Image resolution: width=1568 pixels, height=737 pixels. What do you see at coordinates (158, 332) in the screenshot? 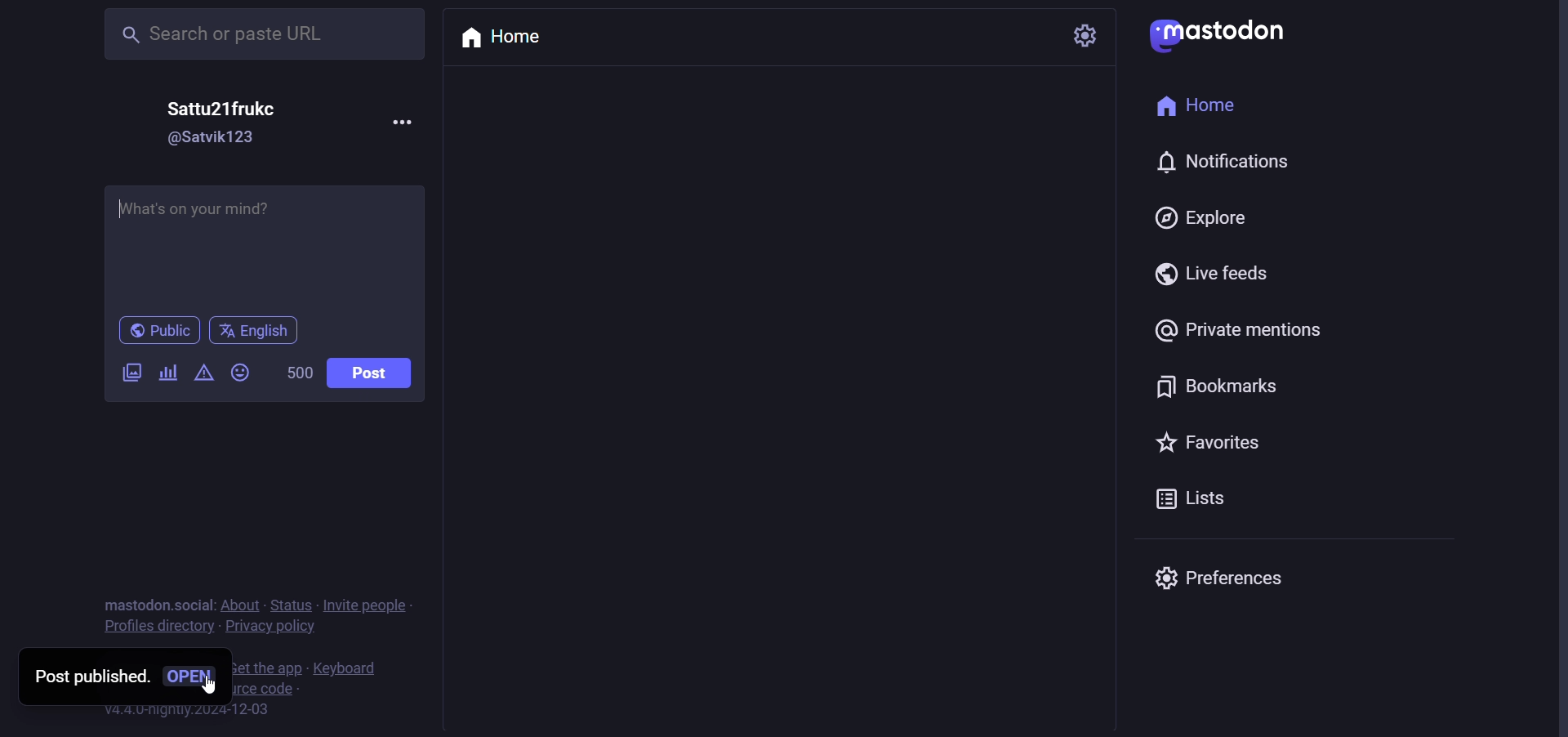
I see `public` at bounding box center [158, 332].